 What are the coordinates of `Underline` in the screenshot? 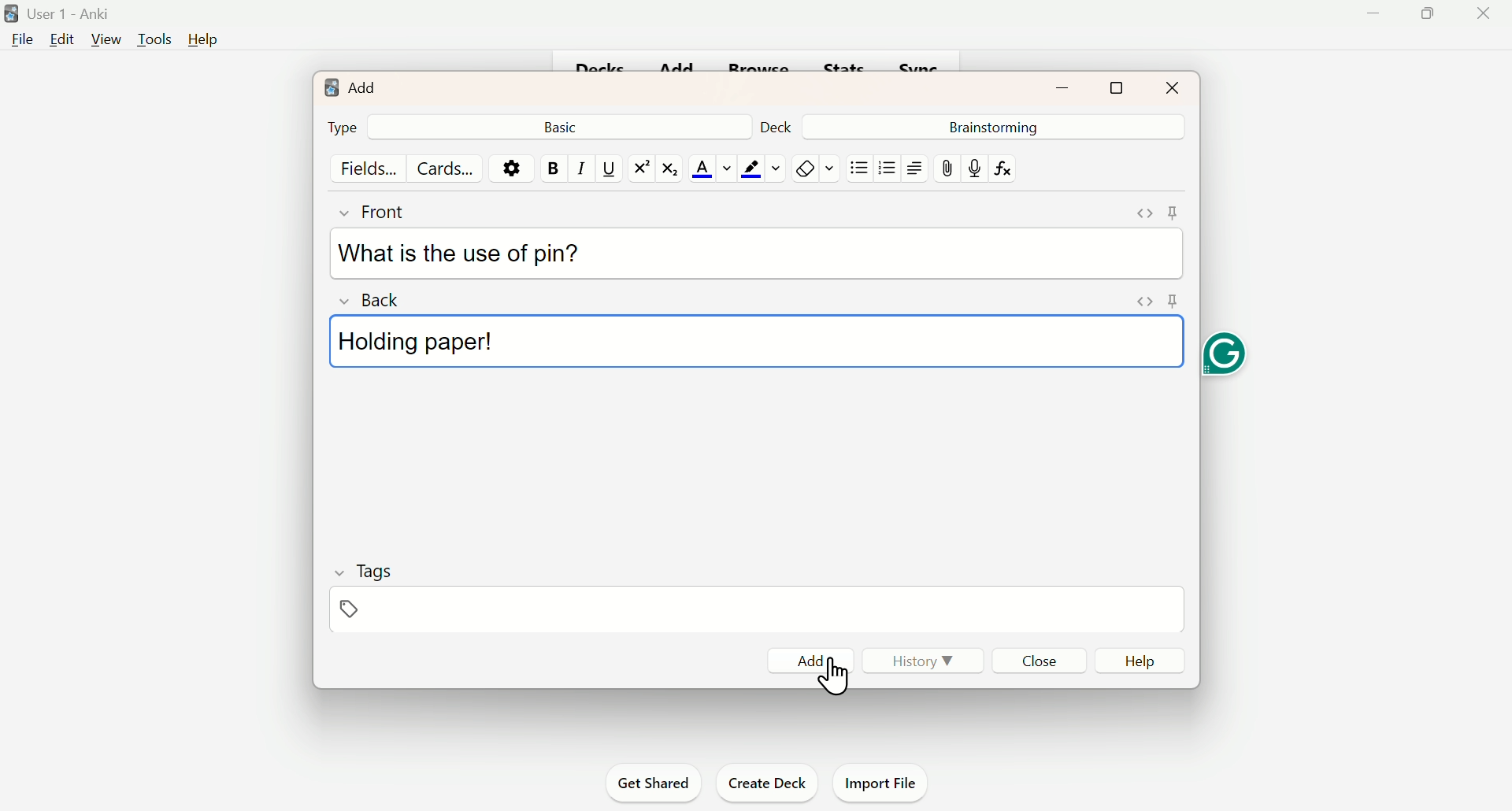 It's located at (608, 167).